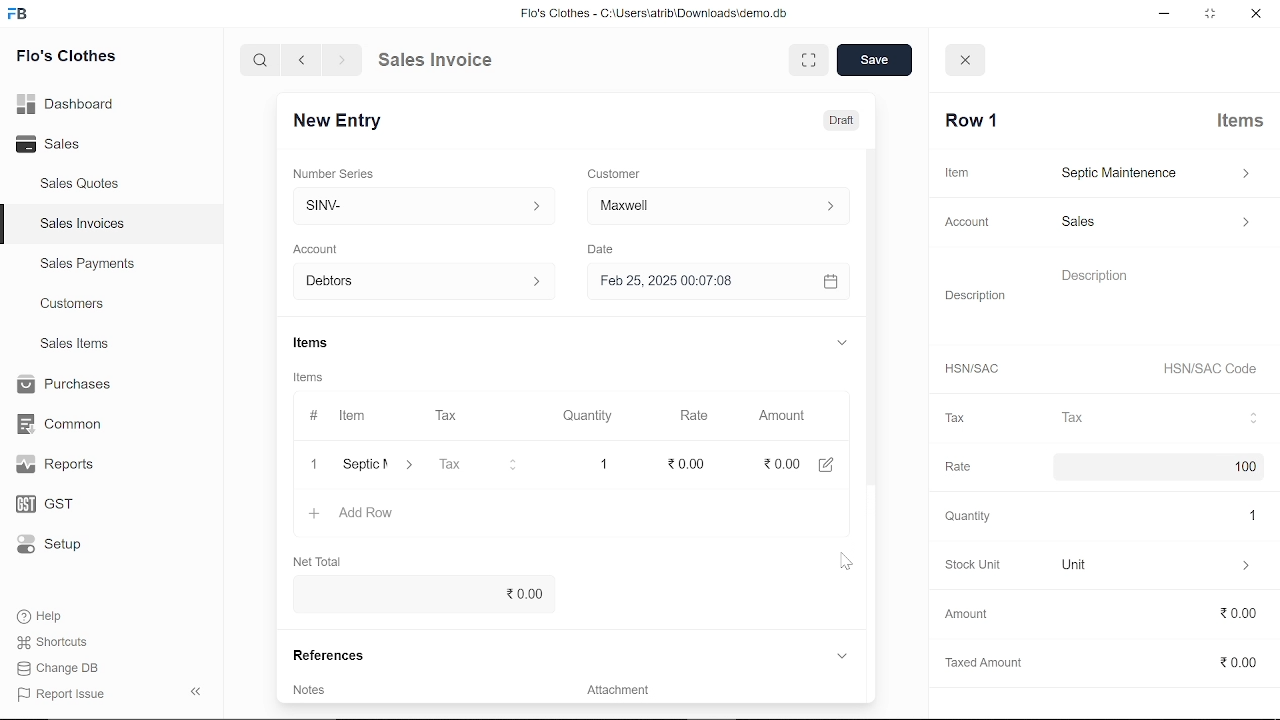 The image size is (1280, 720). I want to click on Sales Items., so click(76, 345).